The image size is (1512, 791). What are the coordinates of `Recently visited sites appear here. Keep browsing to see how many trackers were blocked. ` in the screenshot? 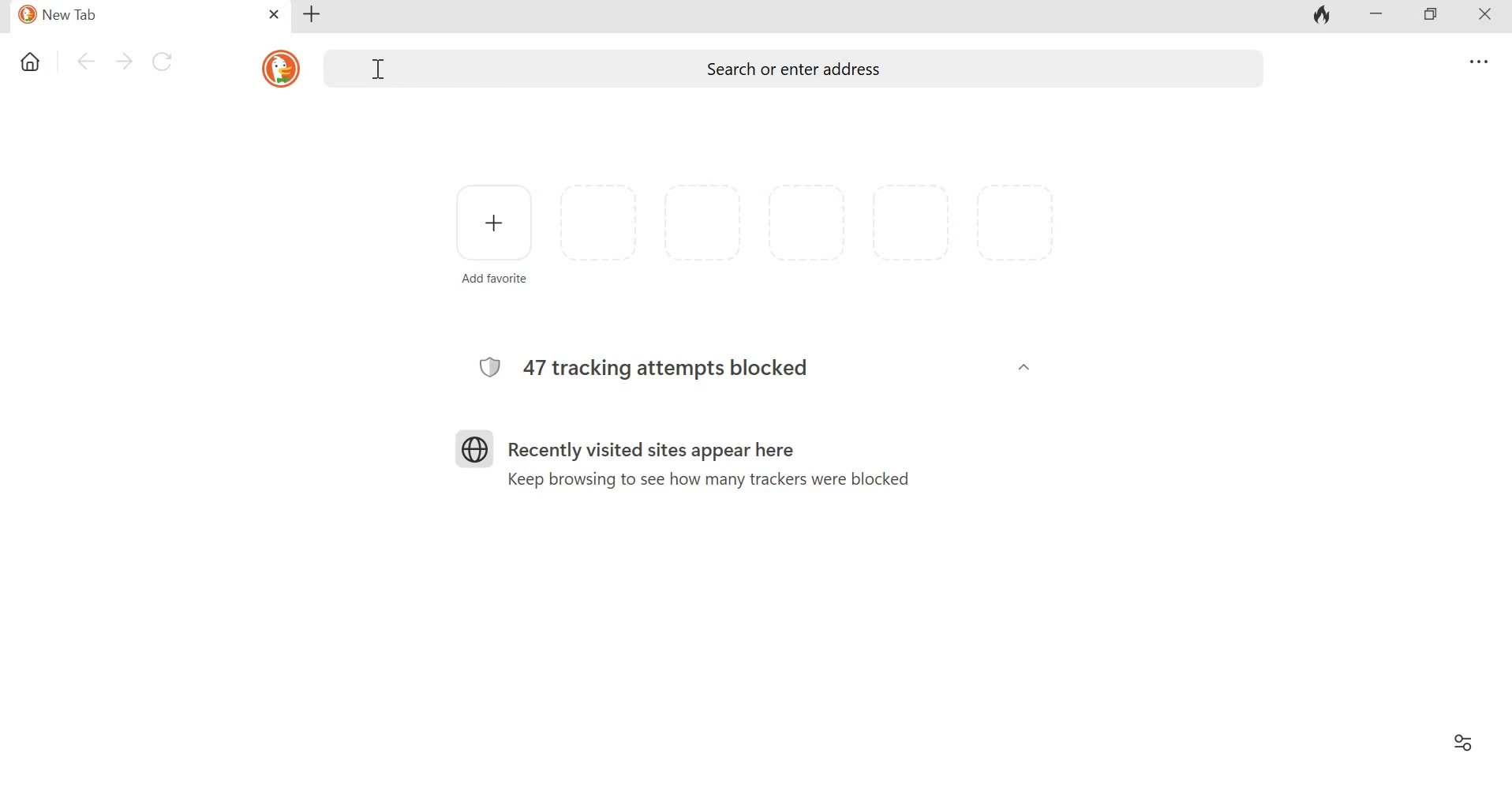 It's located at (705, 458).